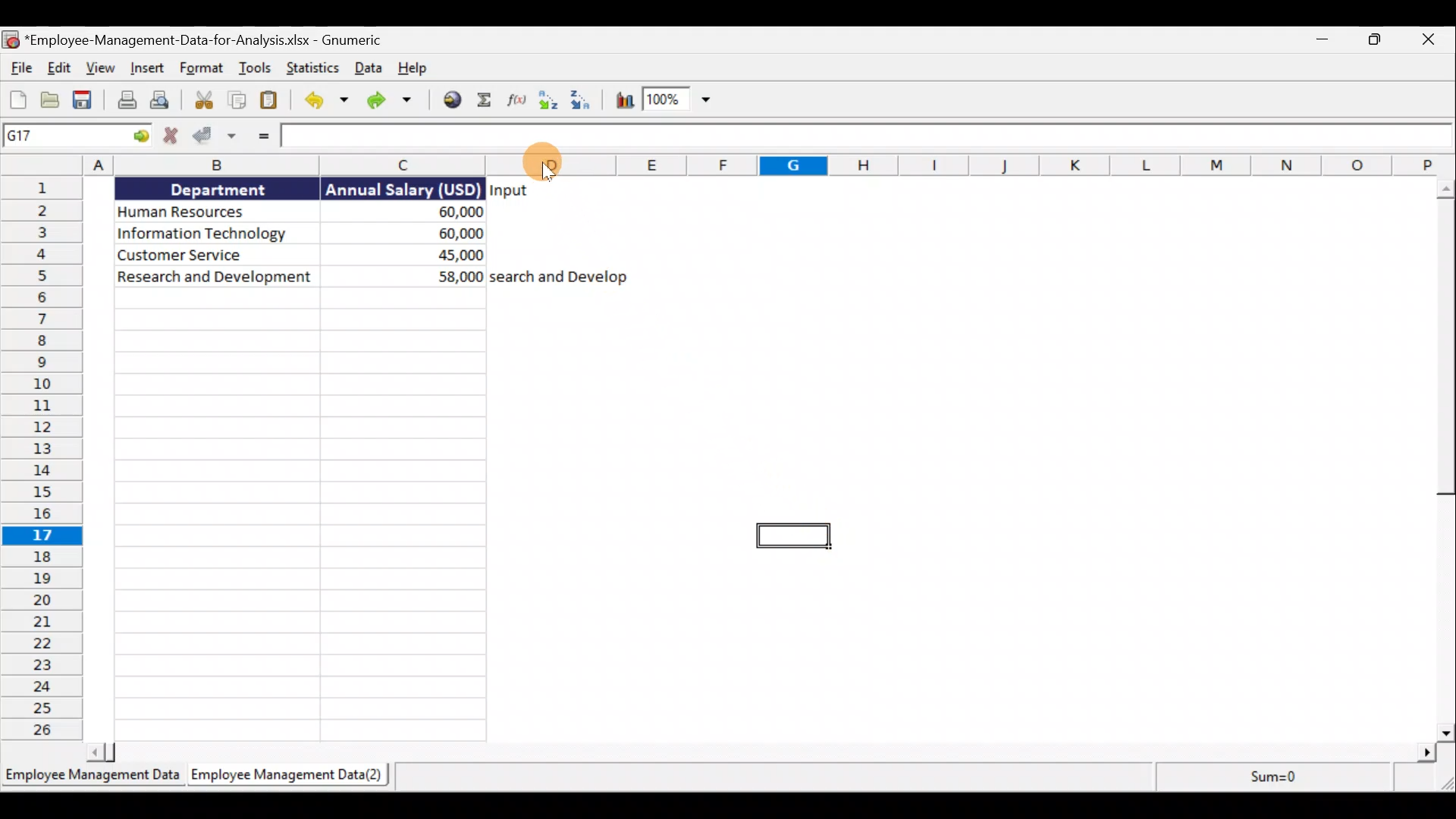  I want to click on Sum into the current cell, so click(484, 102).